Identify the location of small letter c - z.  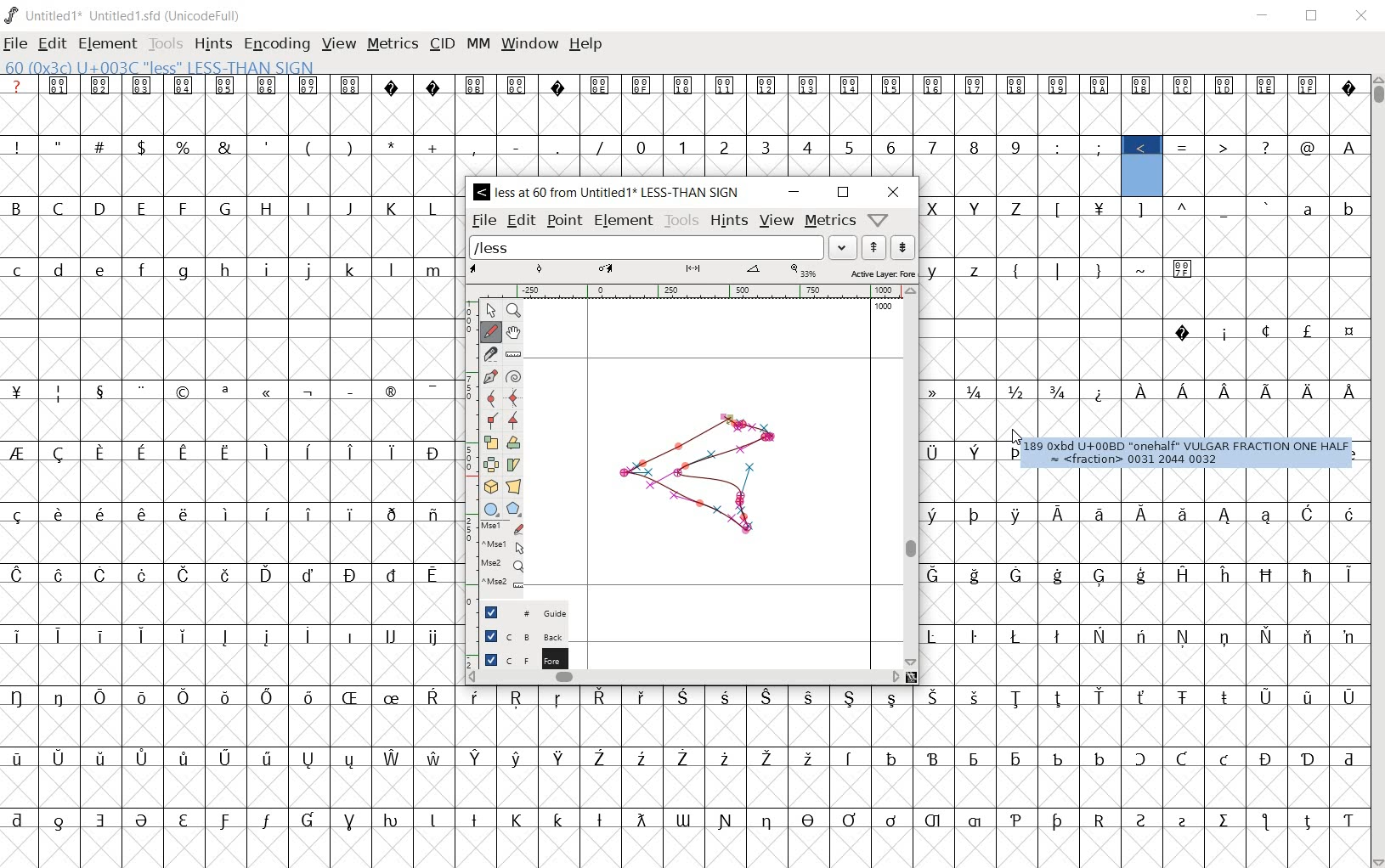
(229, 267).